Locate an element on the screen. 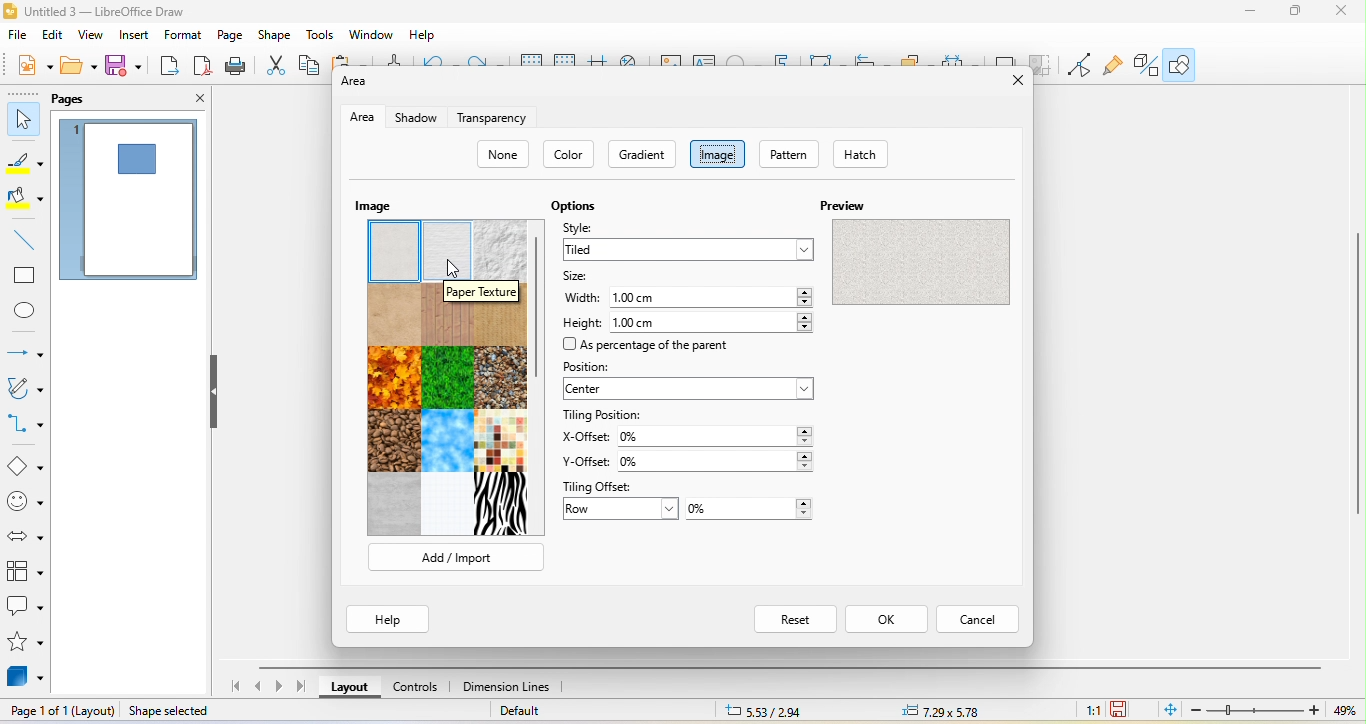 The width and height of the screenshot is (1366, 724). image is located at coordinates (672, 62).